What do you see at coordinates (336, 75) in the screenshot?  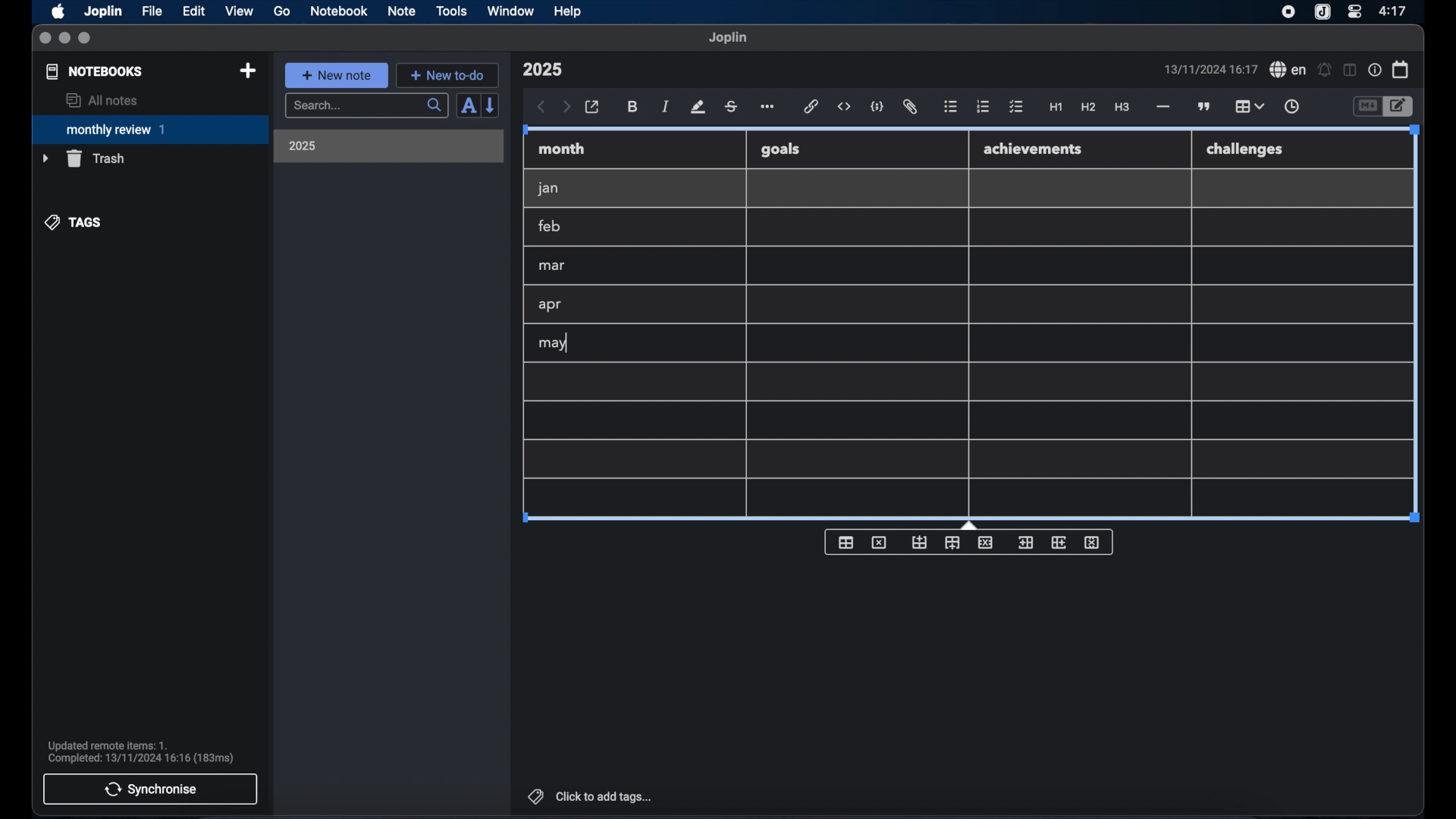 I see `new note` at bounding box center [336, 75].